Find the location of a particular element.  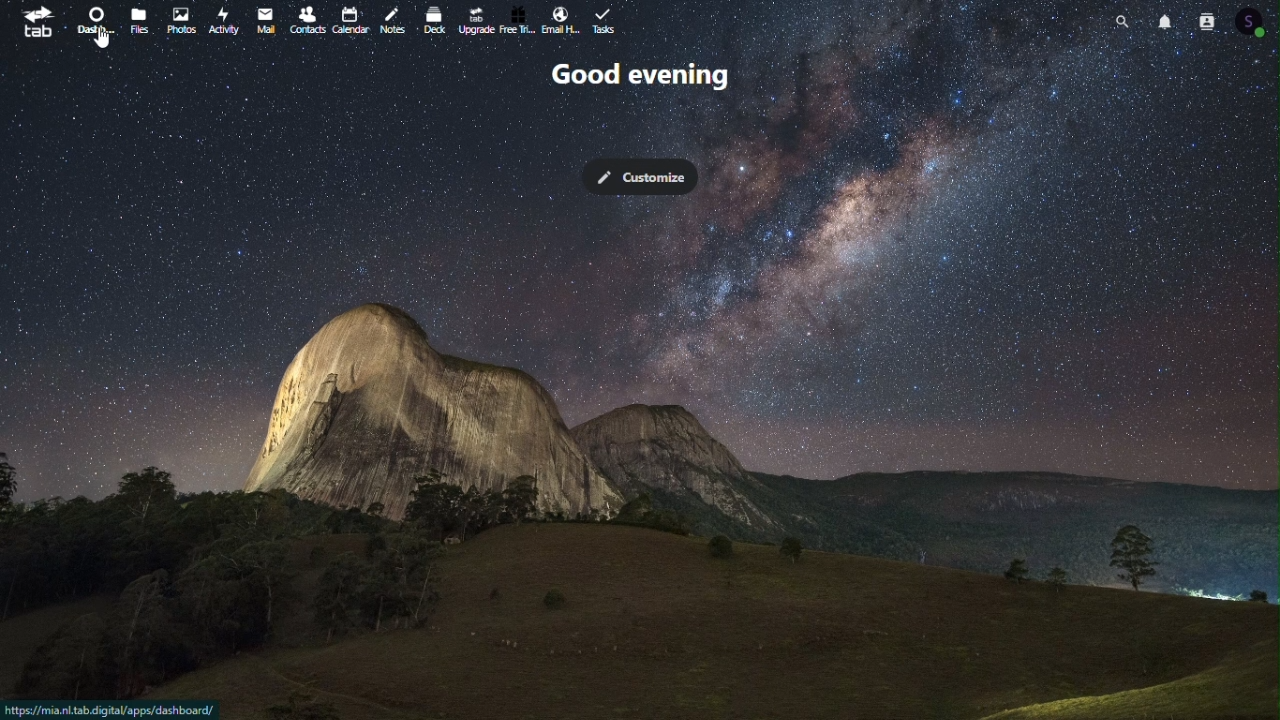

Activity is located at coordinates (225, 19).